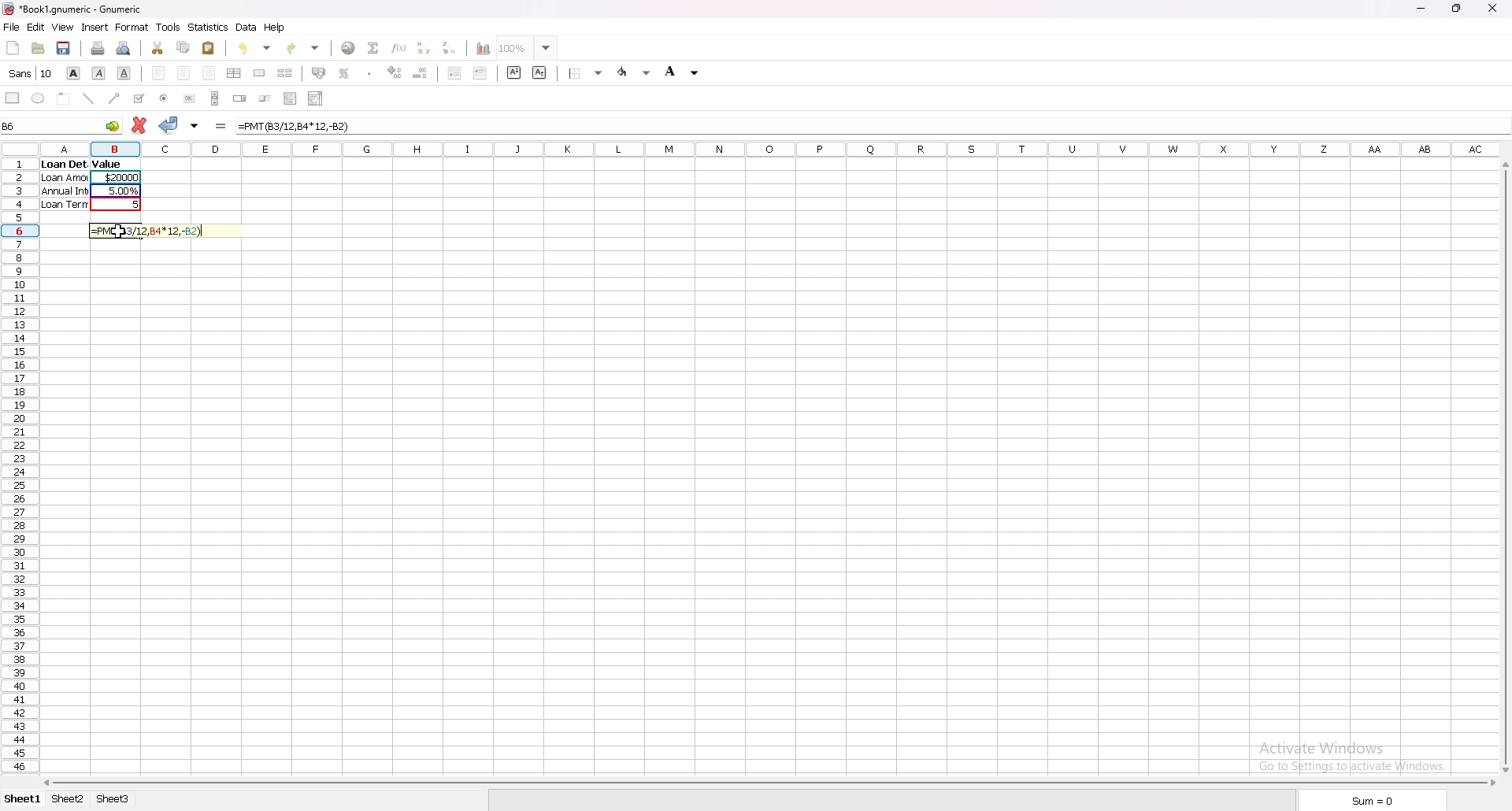 The width and height of the screenshot is (1512, 811). What do you see at coordinates (91, 183) in the screenshot?
I see `data` at bounding box center [91, 183].